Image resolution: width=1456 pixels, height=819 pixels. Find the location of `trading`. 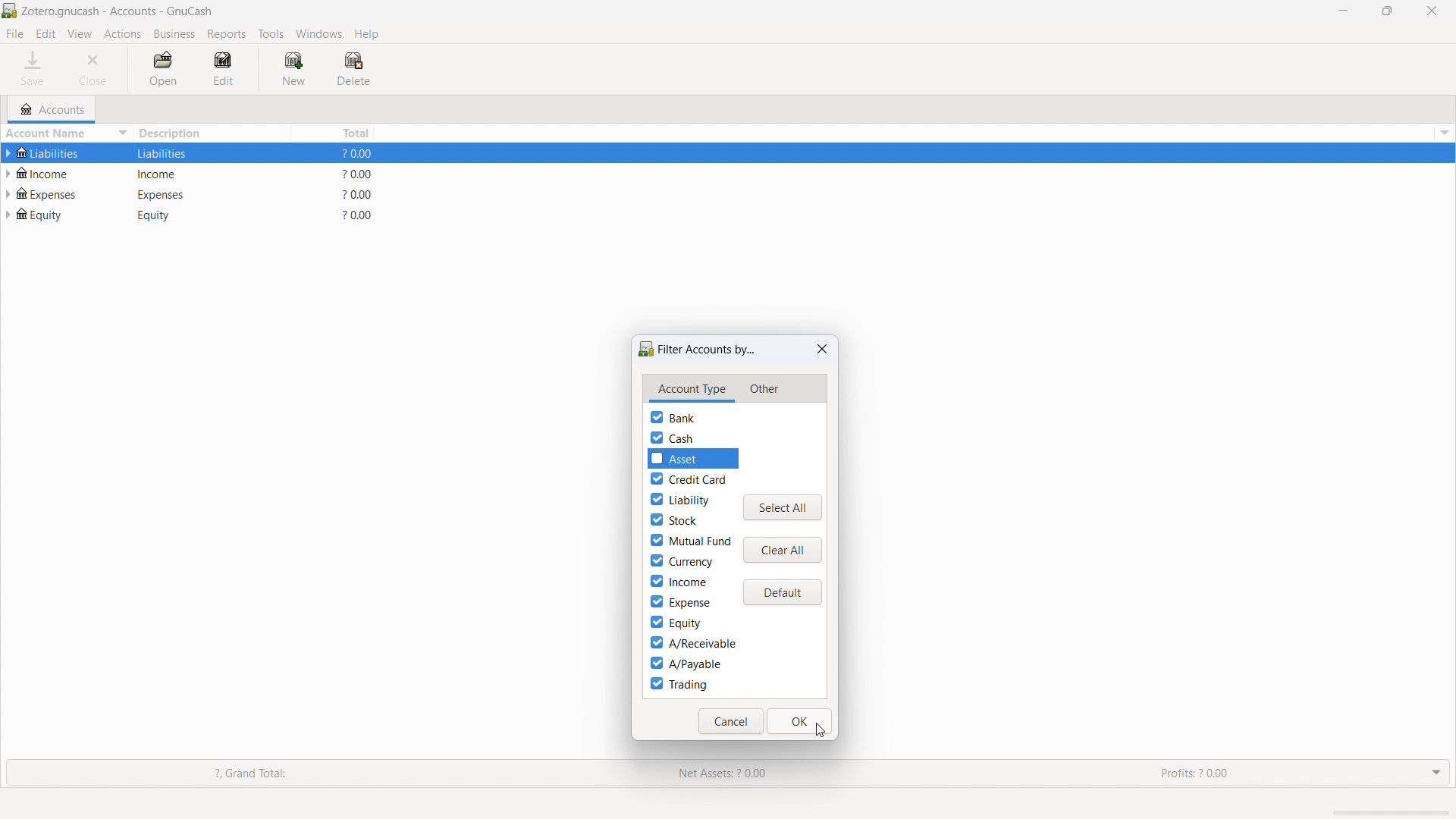

trading is located at coordinates (679, 684).